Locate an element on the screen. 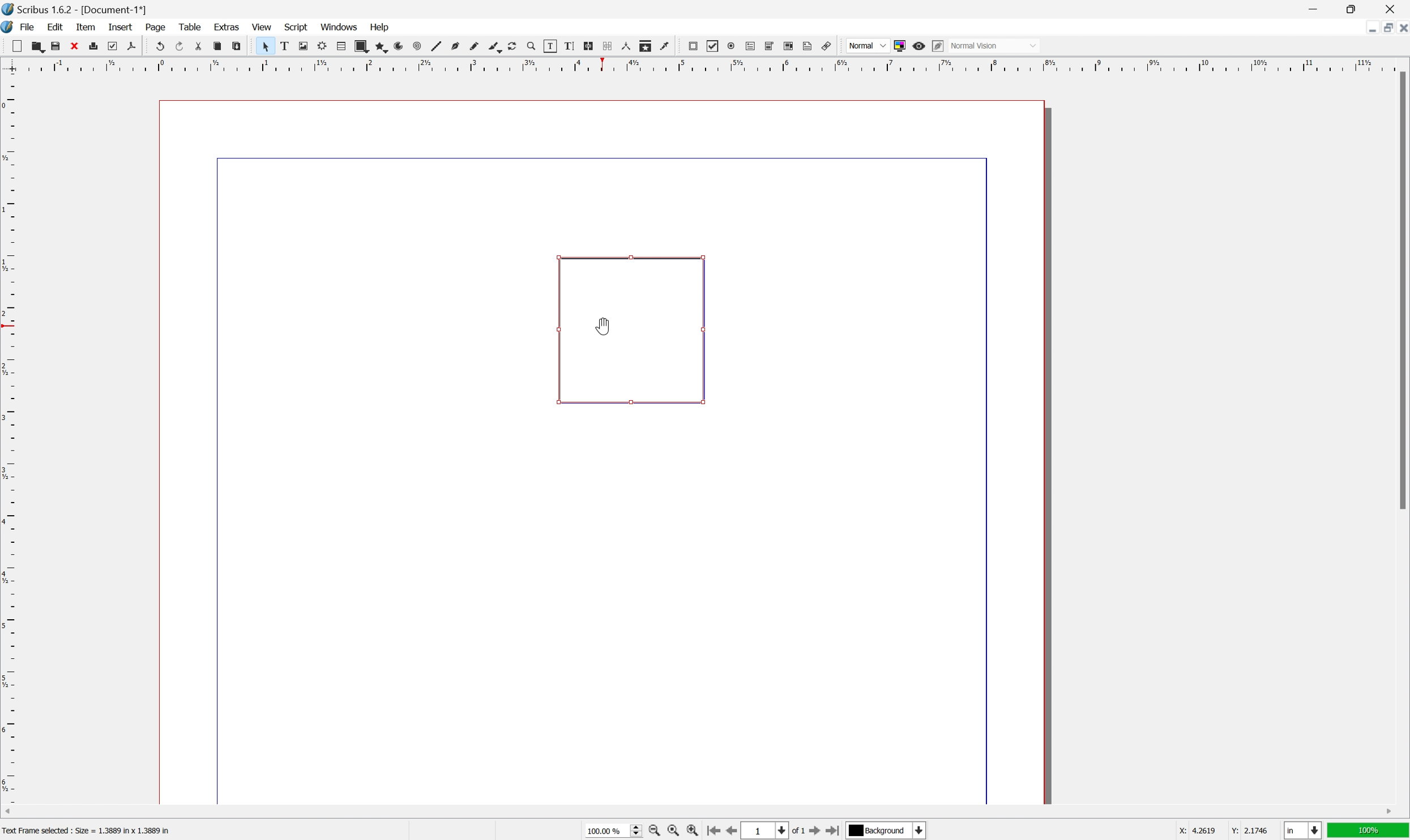 The image size is (1410, 840). print is located at coordinates (93, 45).